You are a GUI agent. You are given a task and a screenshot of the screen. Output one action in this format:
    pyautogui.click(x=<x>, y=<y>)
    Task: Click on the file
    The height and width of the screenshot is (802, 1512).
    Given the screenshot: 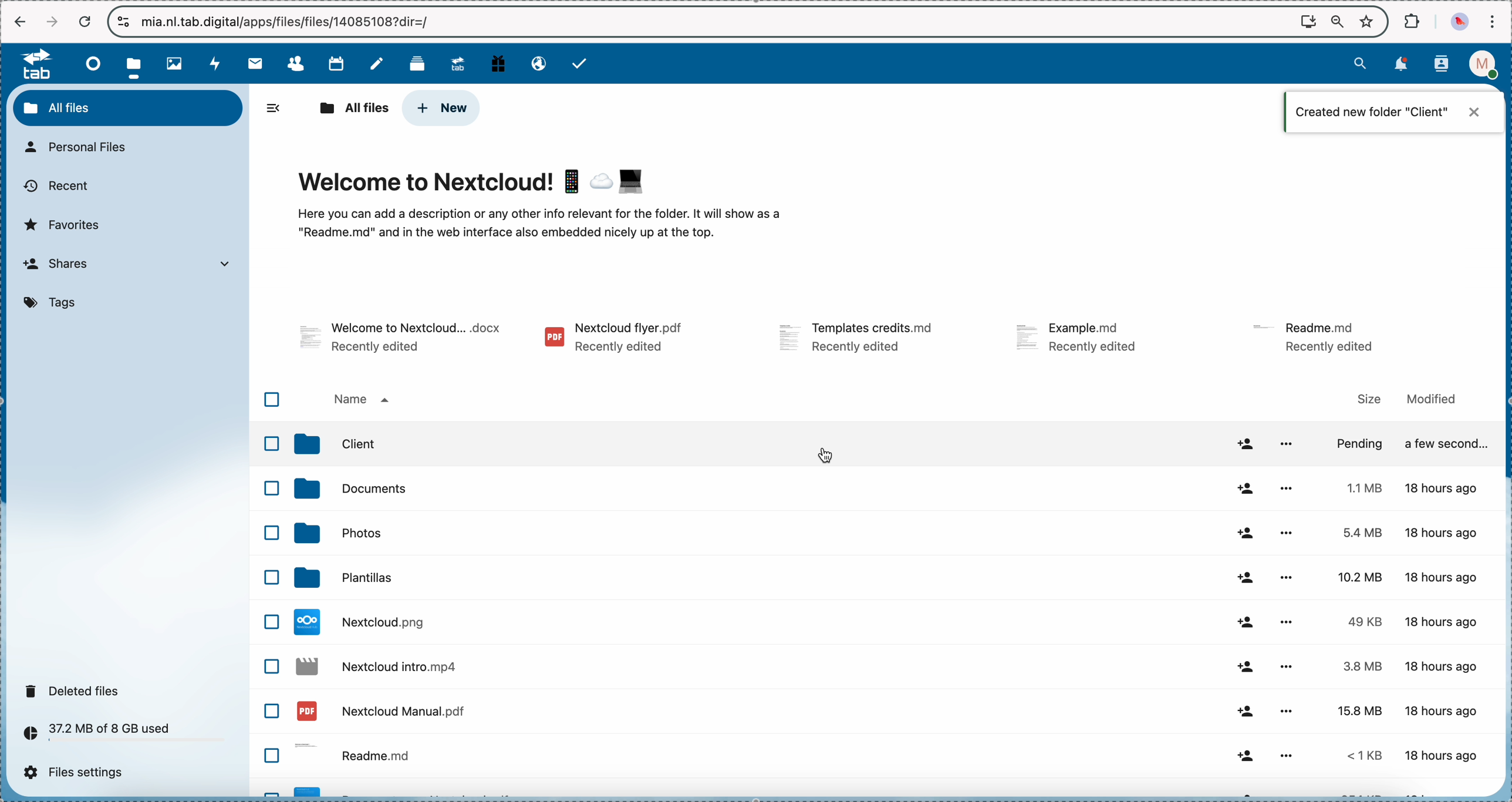 What is the action you would take?
    pyautogui.click(x=754, y=621)
    